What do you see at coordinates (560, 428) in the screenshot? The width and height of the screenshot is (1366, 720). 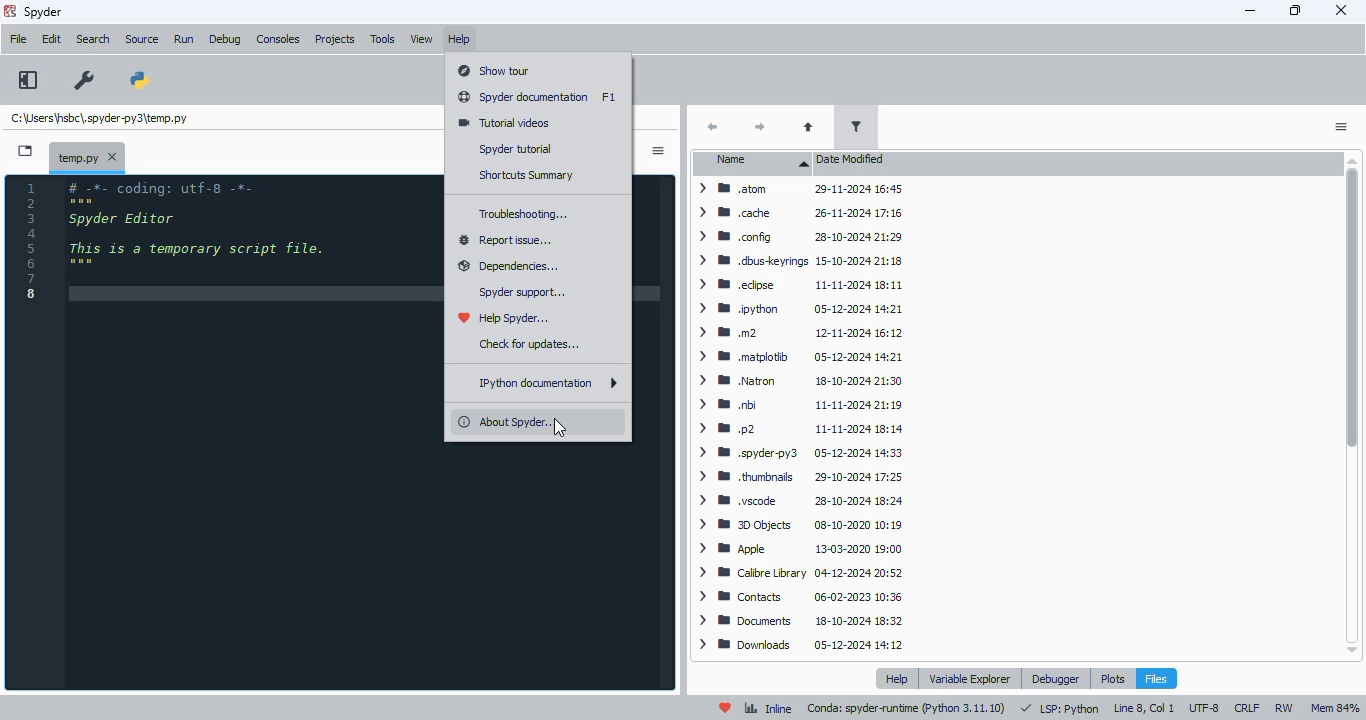 I see `cursor` at bounding box center [560, 428].